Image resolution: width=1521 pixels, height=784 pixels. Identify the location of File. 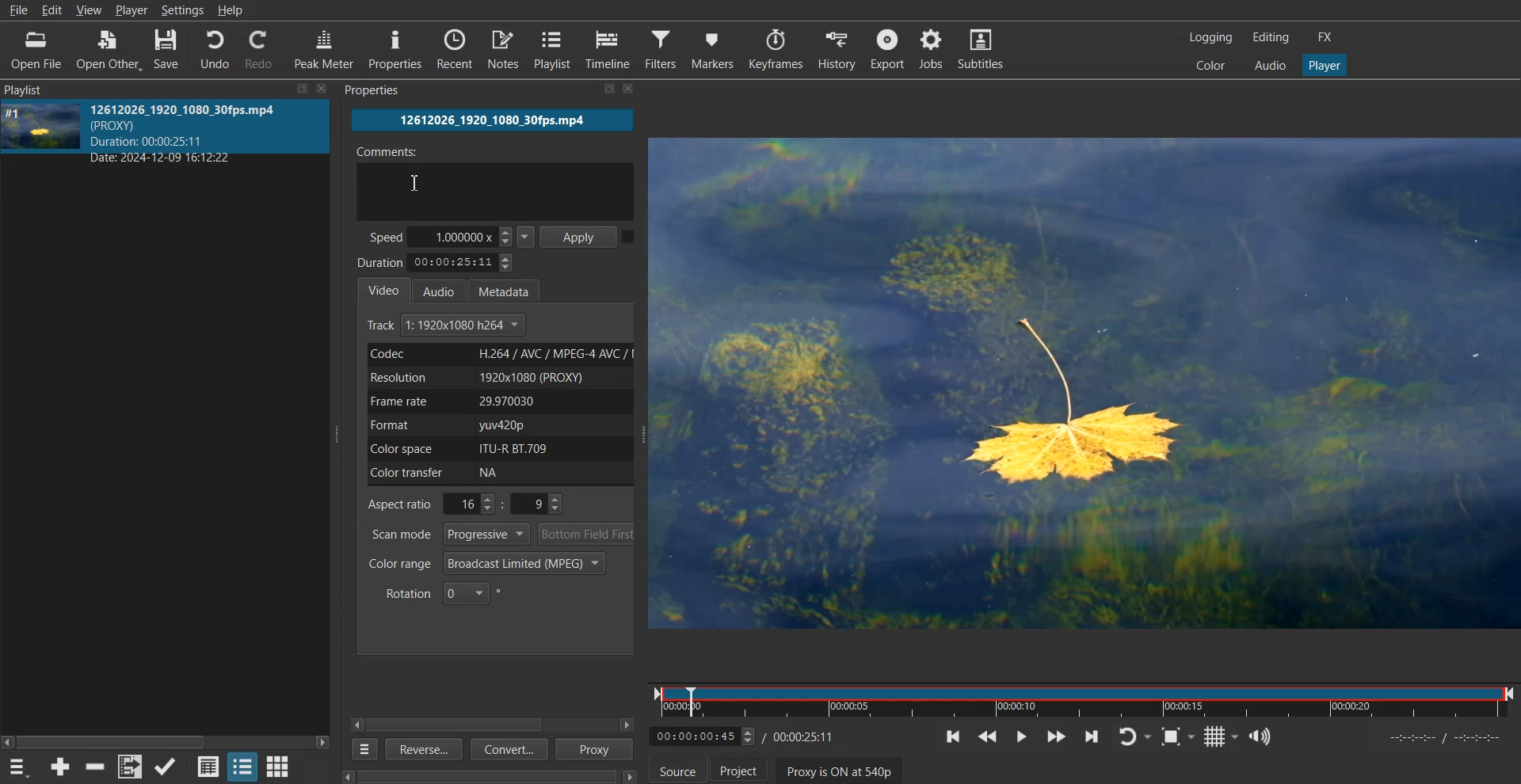
(18, 10).